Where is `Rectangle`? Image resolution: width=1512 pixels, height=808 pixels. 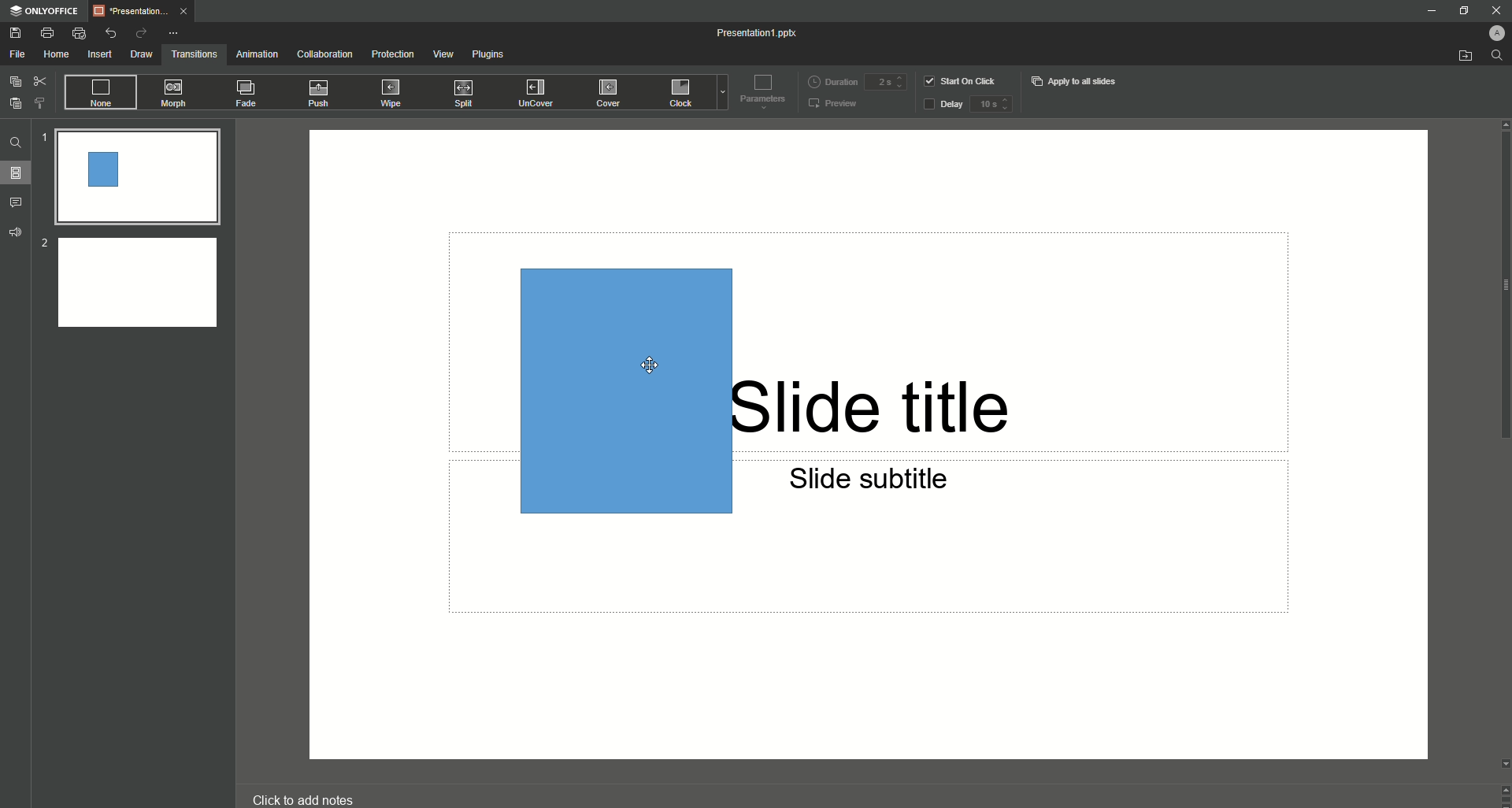 Rectangle is located at coordinates (623, 391).